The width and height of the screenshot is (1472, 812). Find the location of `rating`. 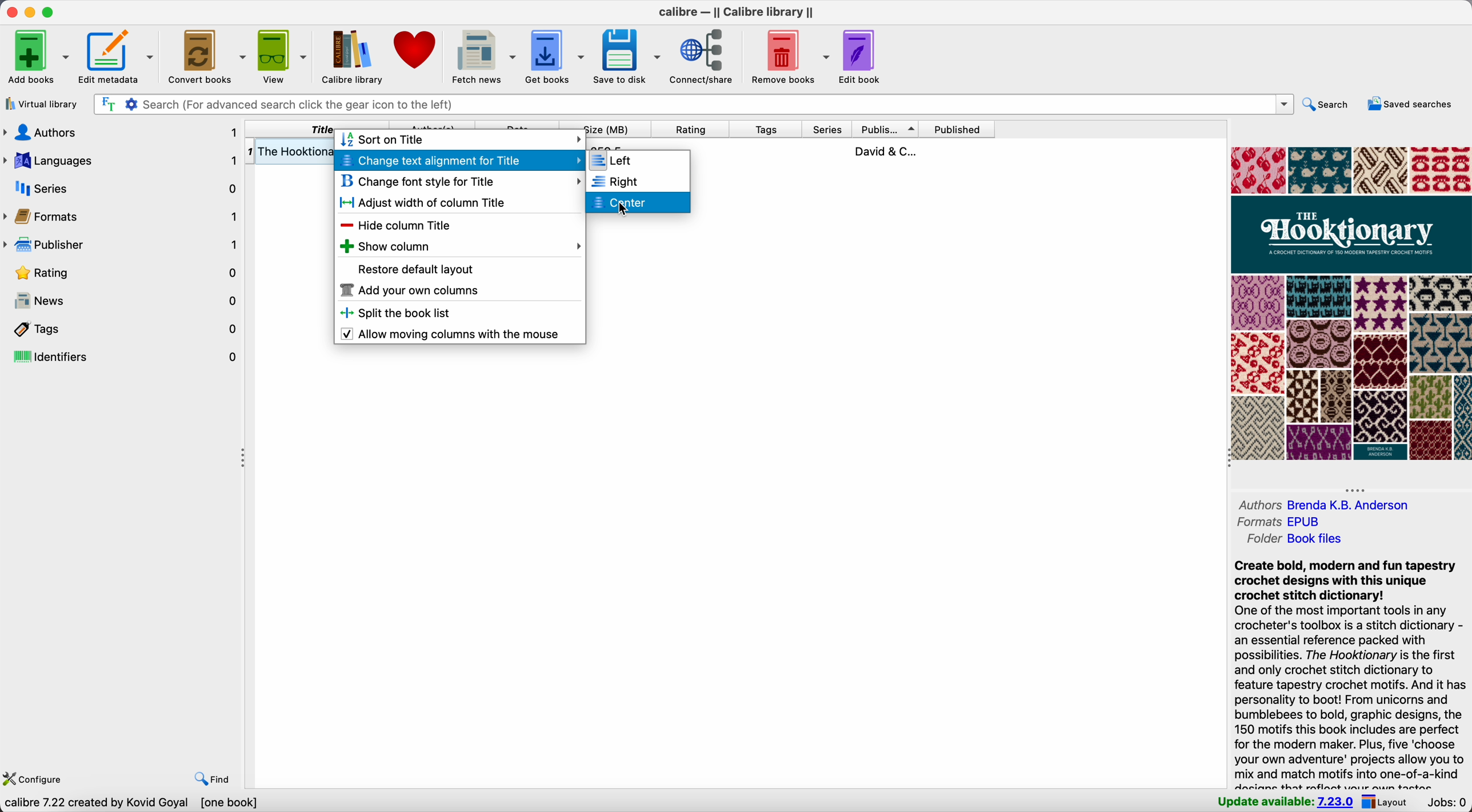

rating is located at coordinates (694, 126).